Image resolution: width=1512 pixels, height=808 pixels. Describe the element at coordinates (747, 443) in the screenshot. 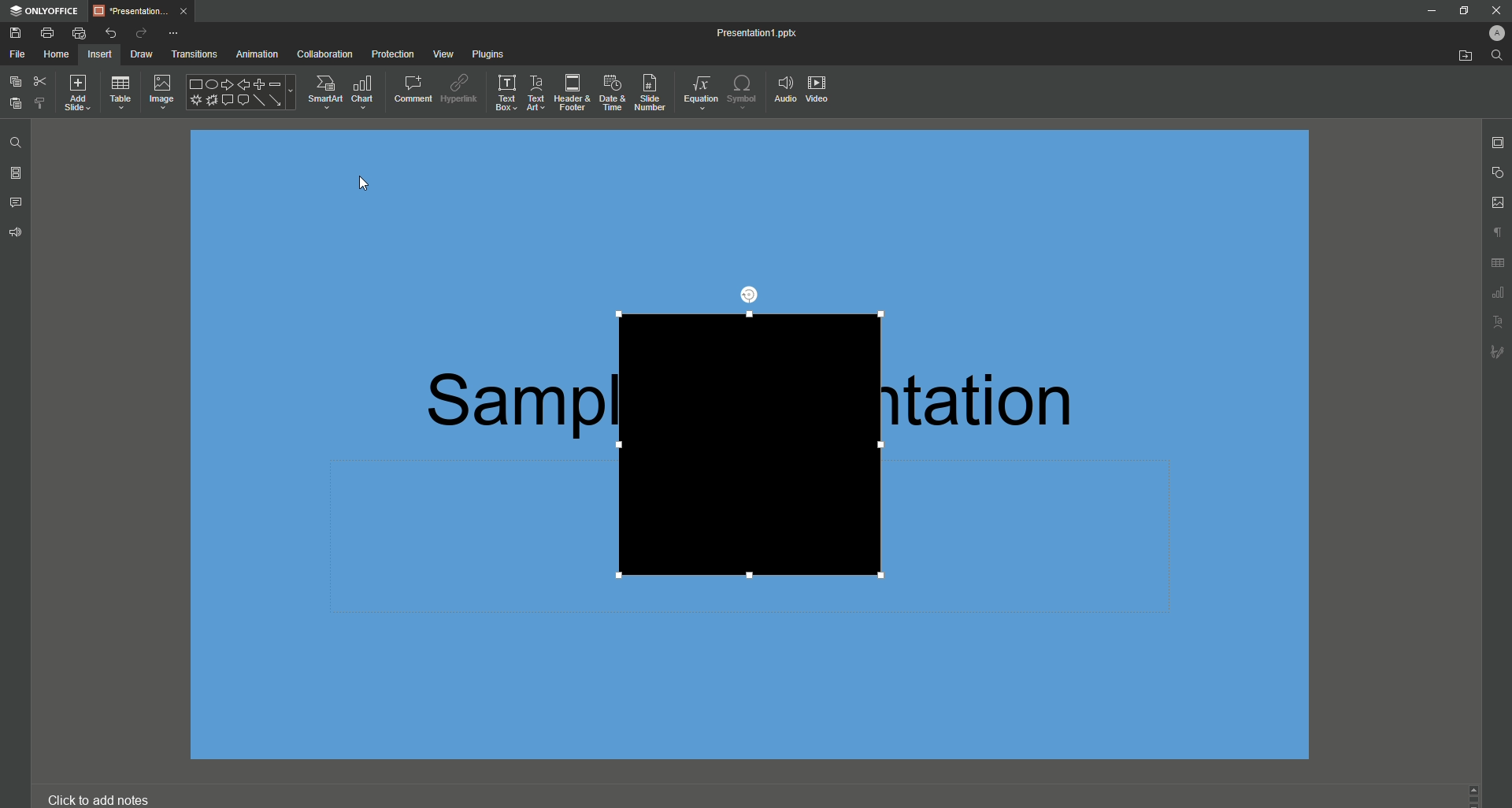

I see `Video` at that location.